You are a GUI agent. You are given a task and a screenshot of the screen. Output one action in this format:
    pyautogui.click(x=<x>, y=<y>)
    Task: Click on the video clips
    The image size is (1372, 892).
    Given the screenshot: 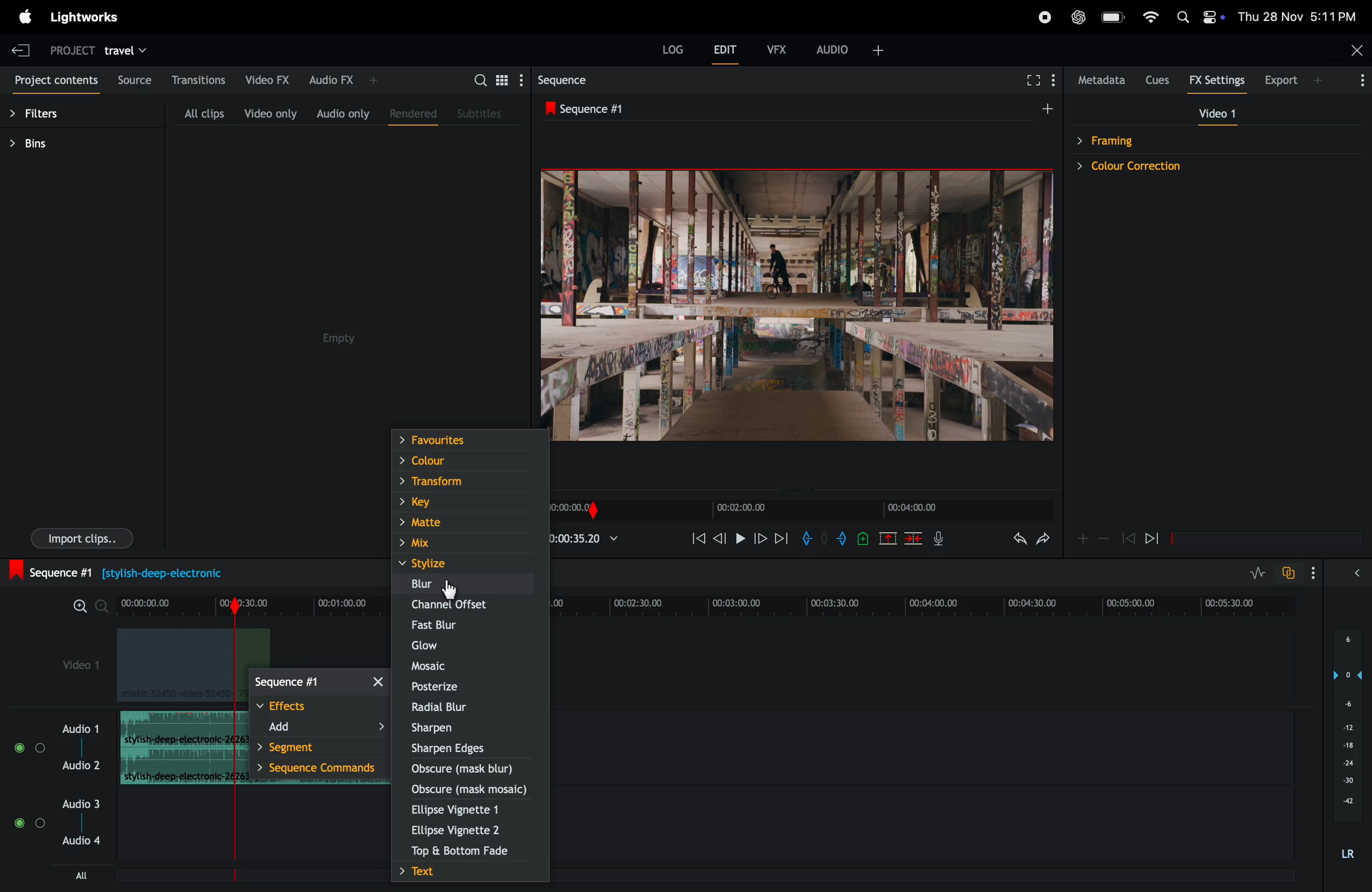 What is the action you would take?
    pyautogui.click(x=177, y=666)
    